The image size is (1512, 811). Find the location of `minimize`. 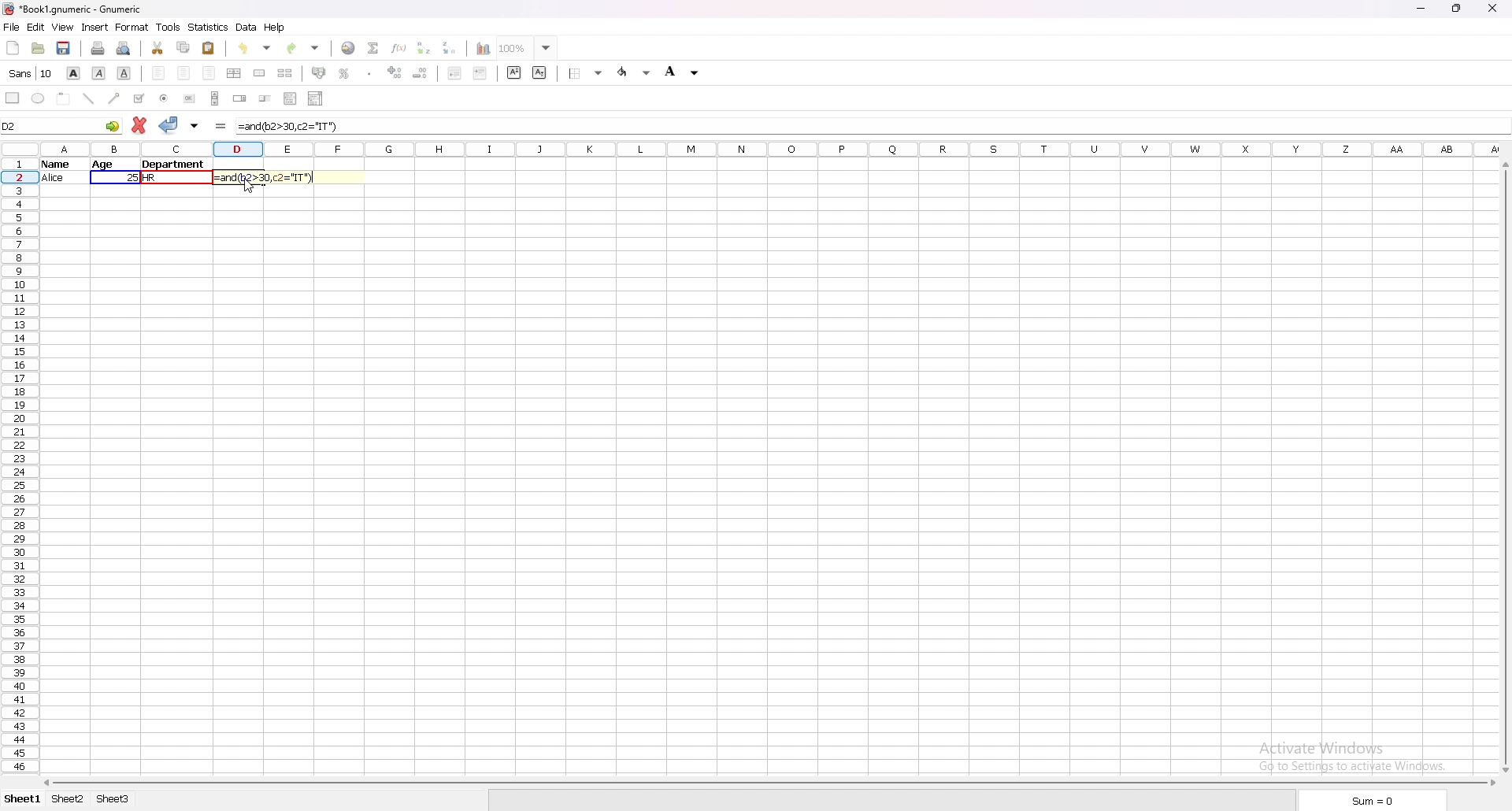

minimize is located at coordinates (1421, 9).